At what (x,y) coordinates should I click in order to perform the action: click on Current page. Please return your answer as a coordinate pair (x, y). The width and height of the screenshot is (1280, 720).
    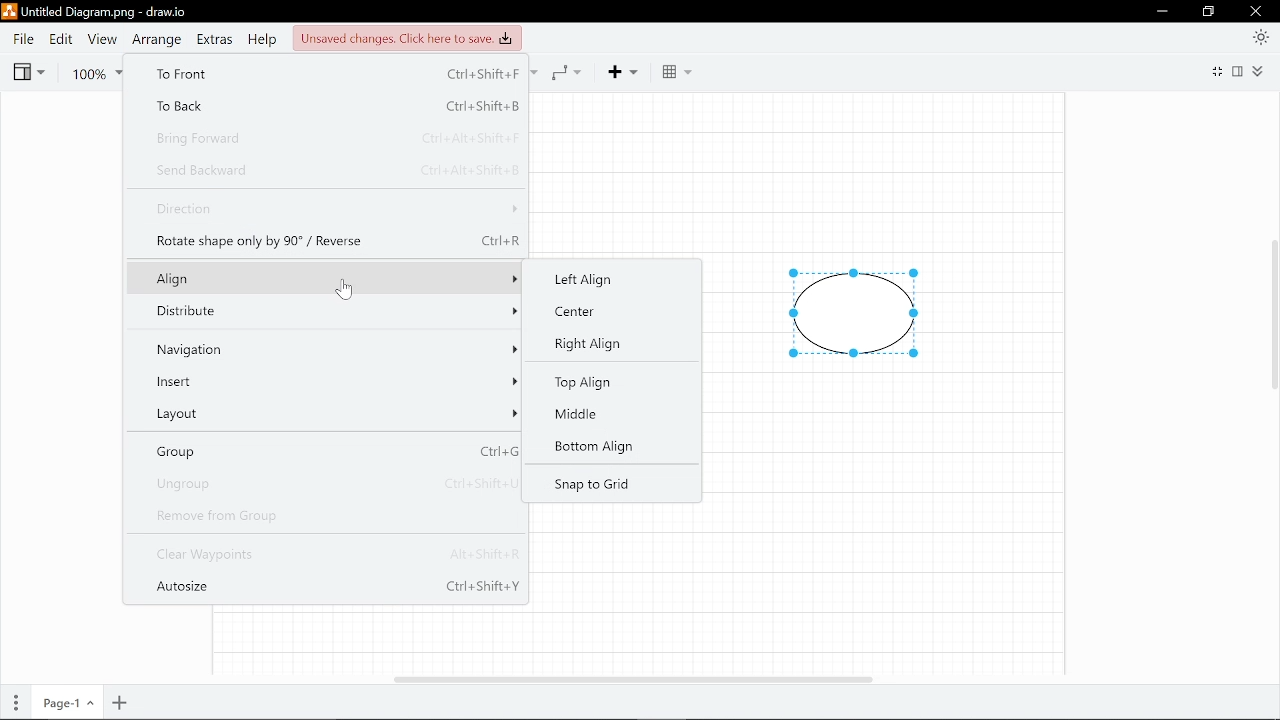
    Looking at the image, I should click on (65, 704).